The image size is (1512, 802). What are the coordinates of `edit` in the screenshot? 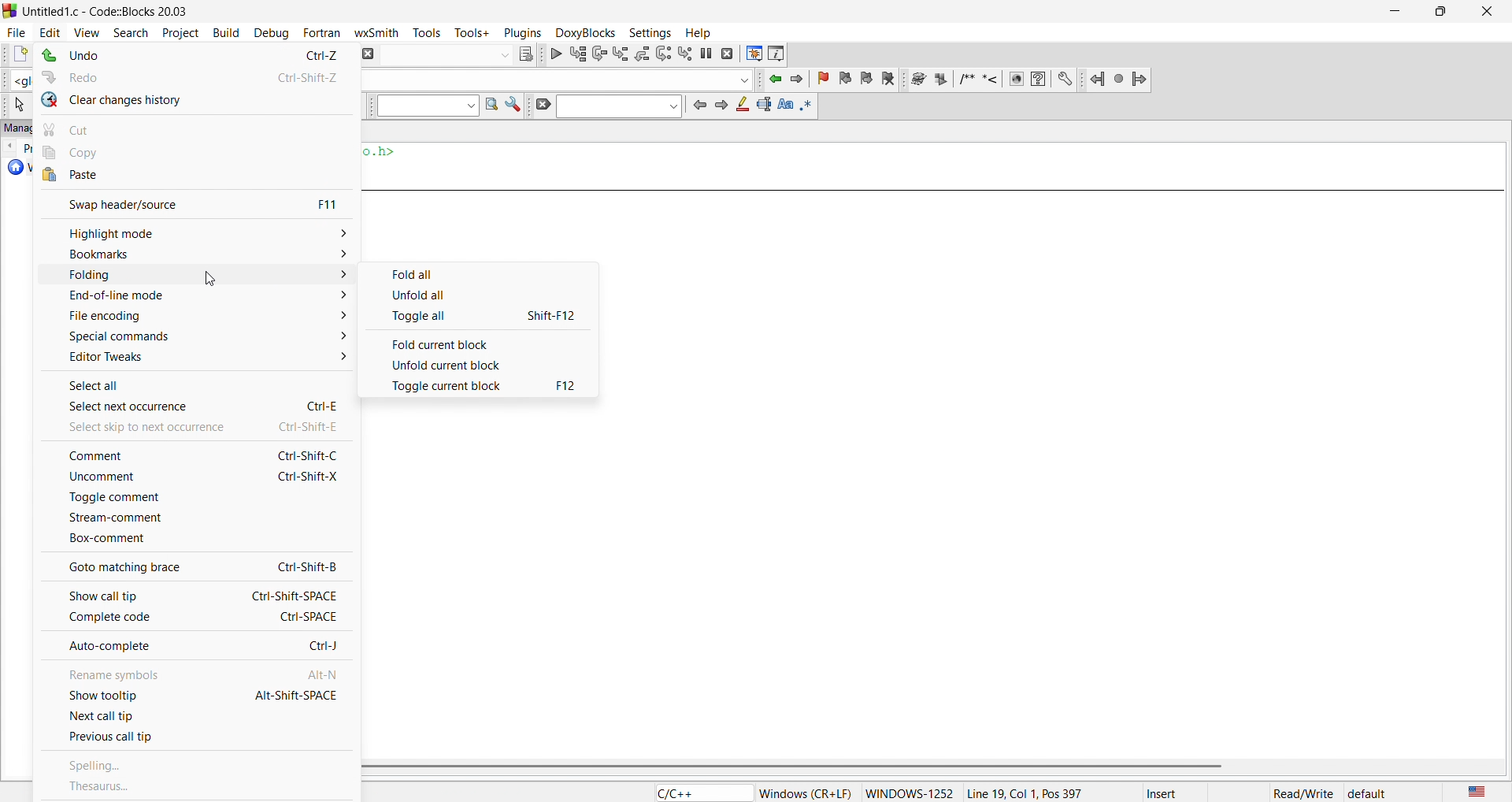 It's located at (49, 31).